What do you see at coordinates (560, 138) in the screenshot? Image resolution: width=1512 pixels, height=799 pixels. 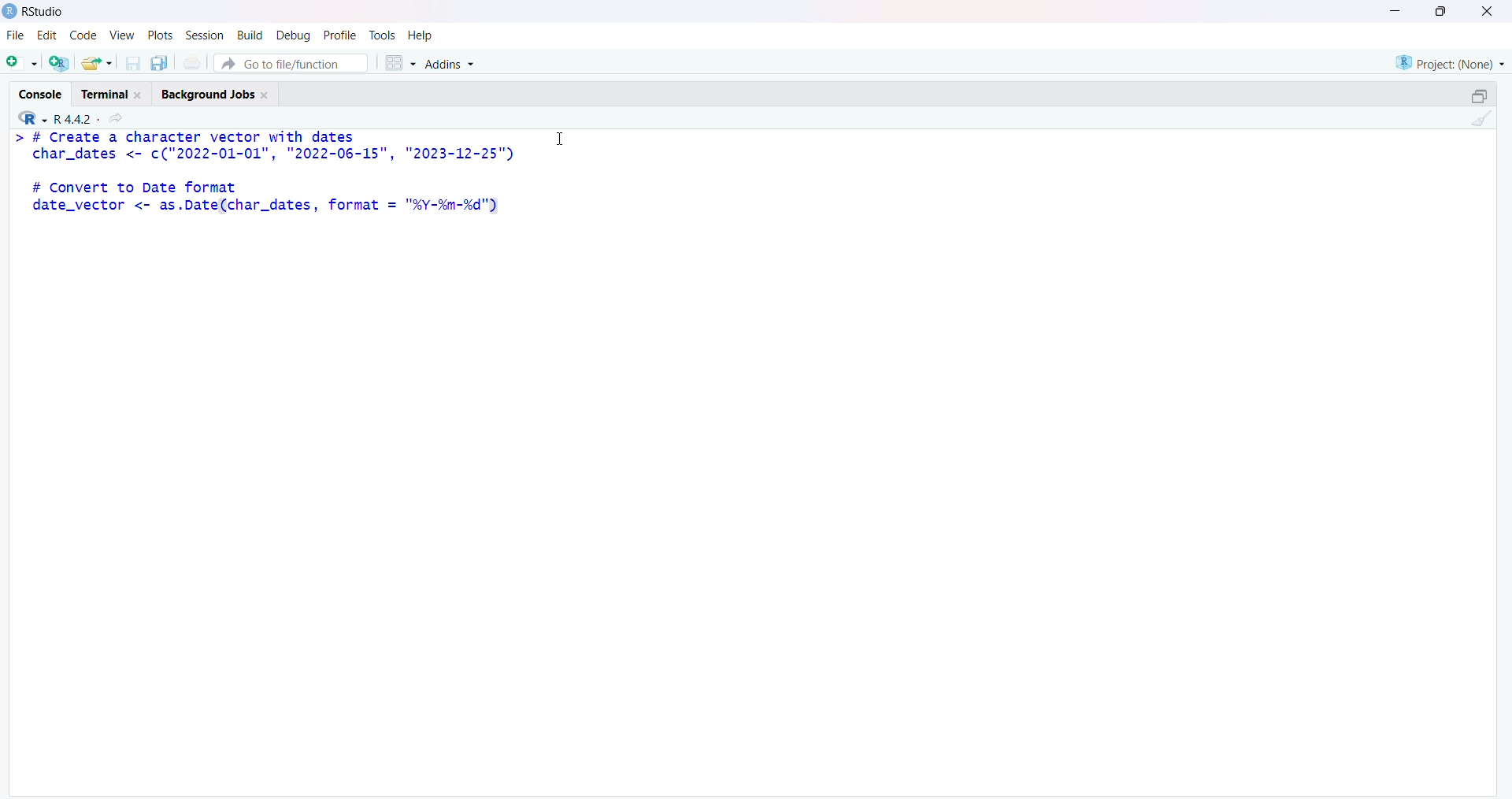 I see `Cursor` at bounding box center [560, 138].